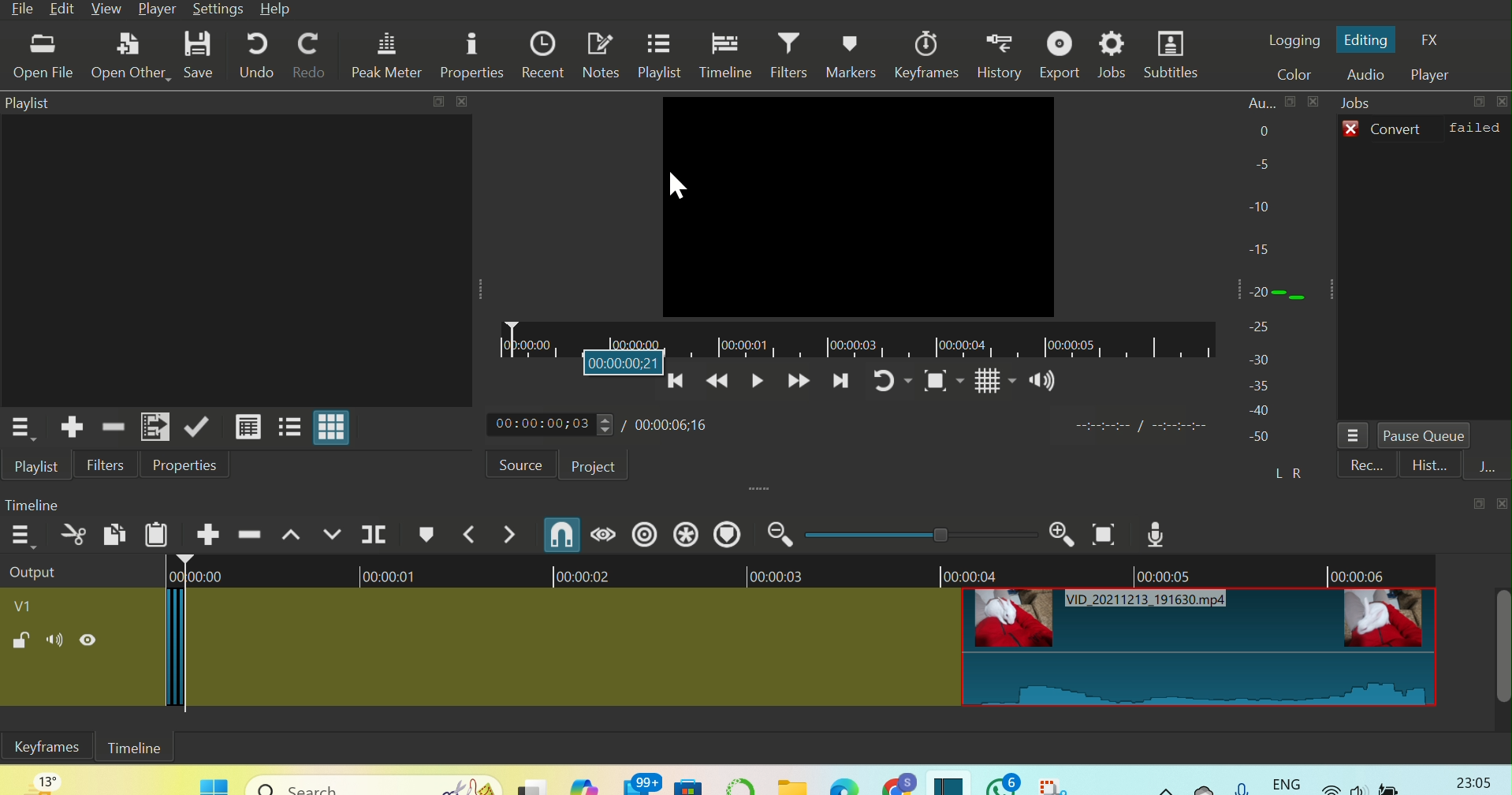 Image resolution: width=1512 pixels, height=795 pixels. What do you see at coordinates (125, 55) in the screenshot?
I see `Open Other` at bounding box center [125, 55].